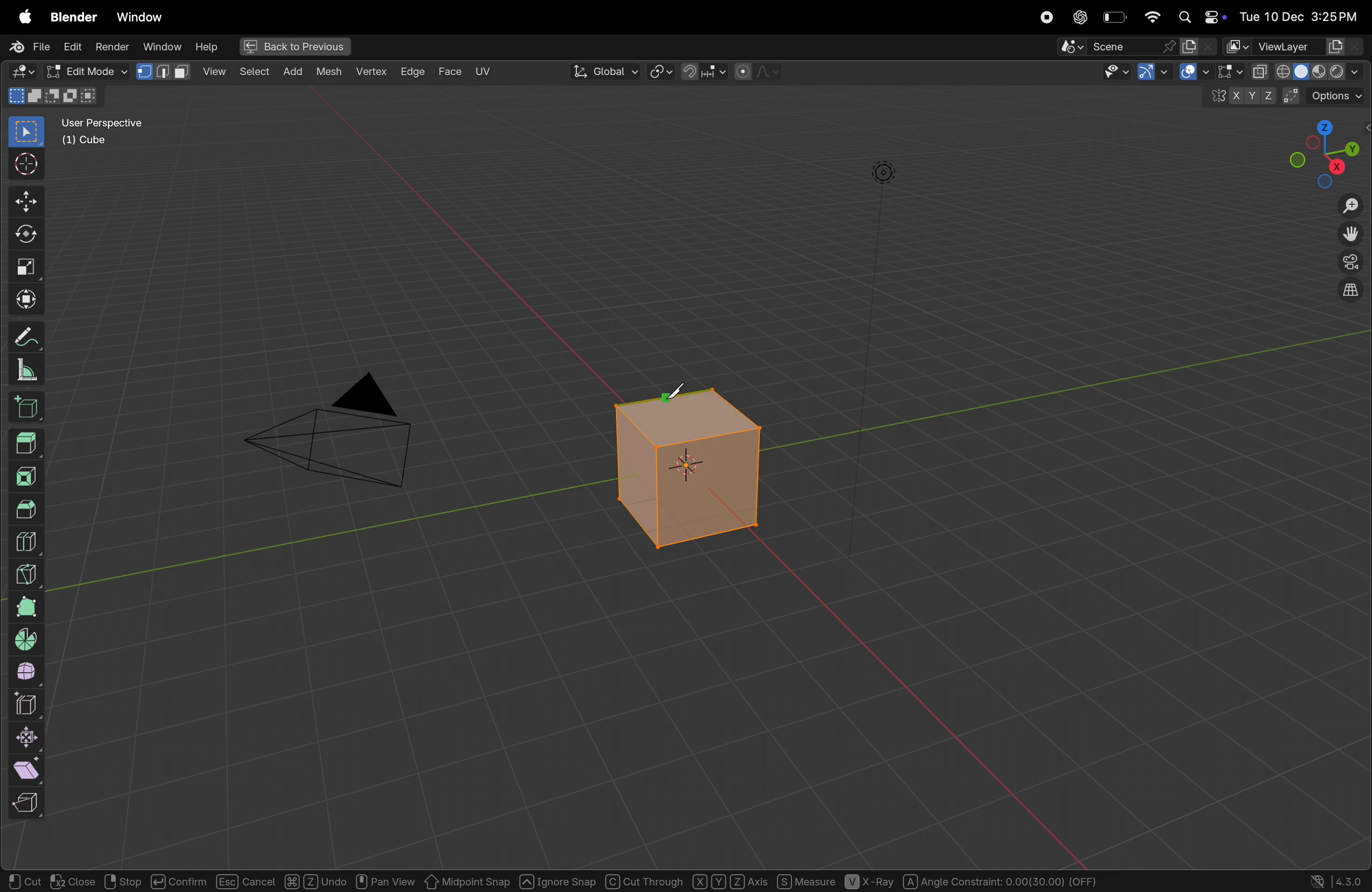 The height and width of the screenshot is (892, 1372). Describe the element at coordinates (1294, 46) in the screenshot. I see `View layer` at that location.